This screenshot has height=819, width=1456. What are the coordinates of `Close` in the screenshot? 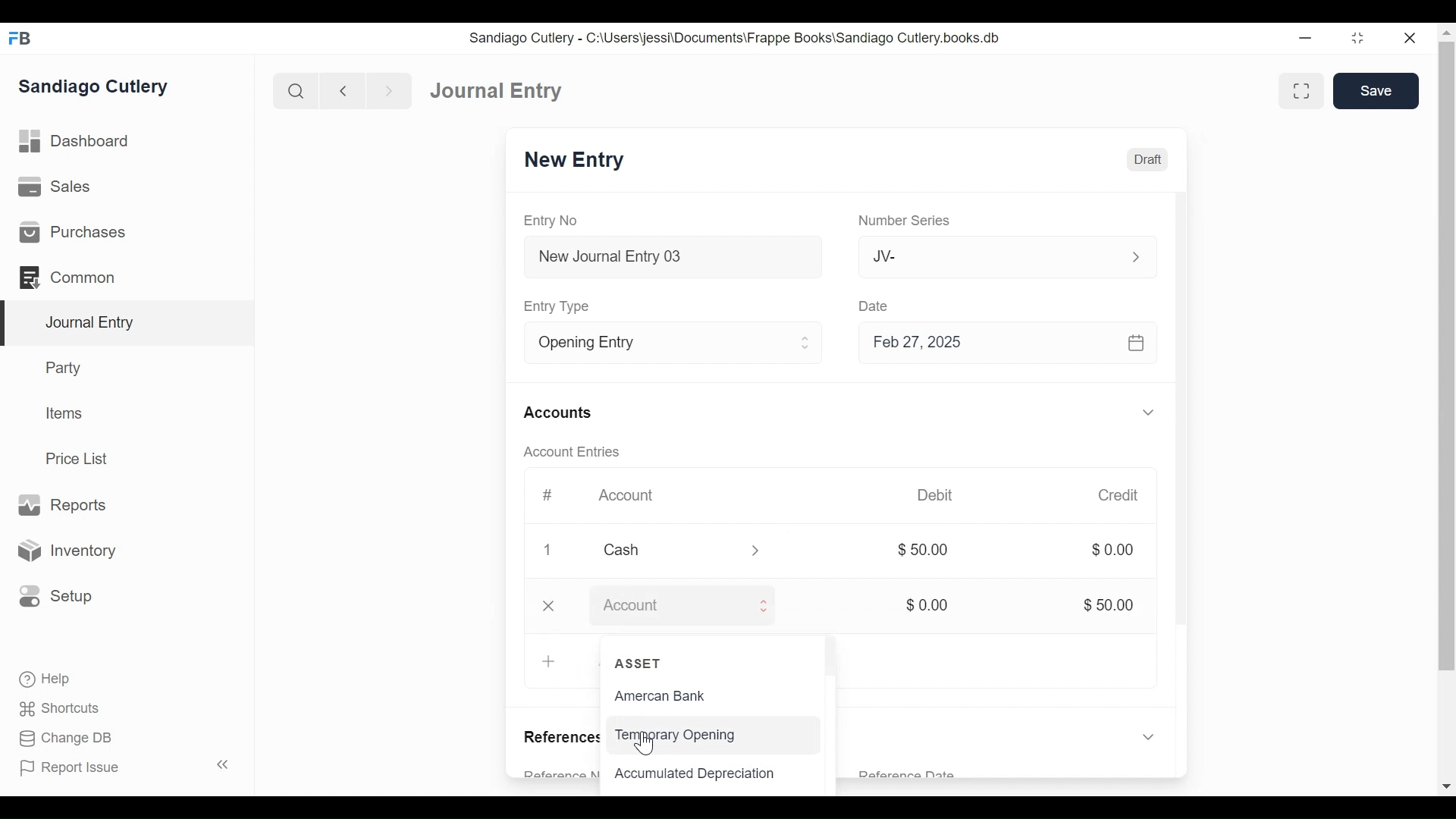 It's located at (554, 606).